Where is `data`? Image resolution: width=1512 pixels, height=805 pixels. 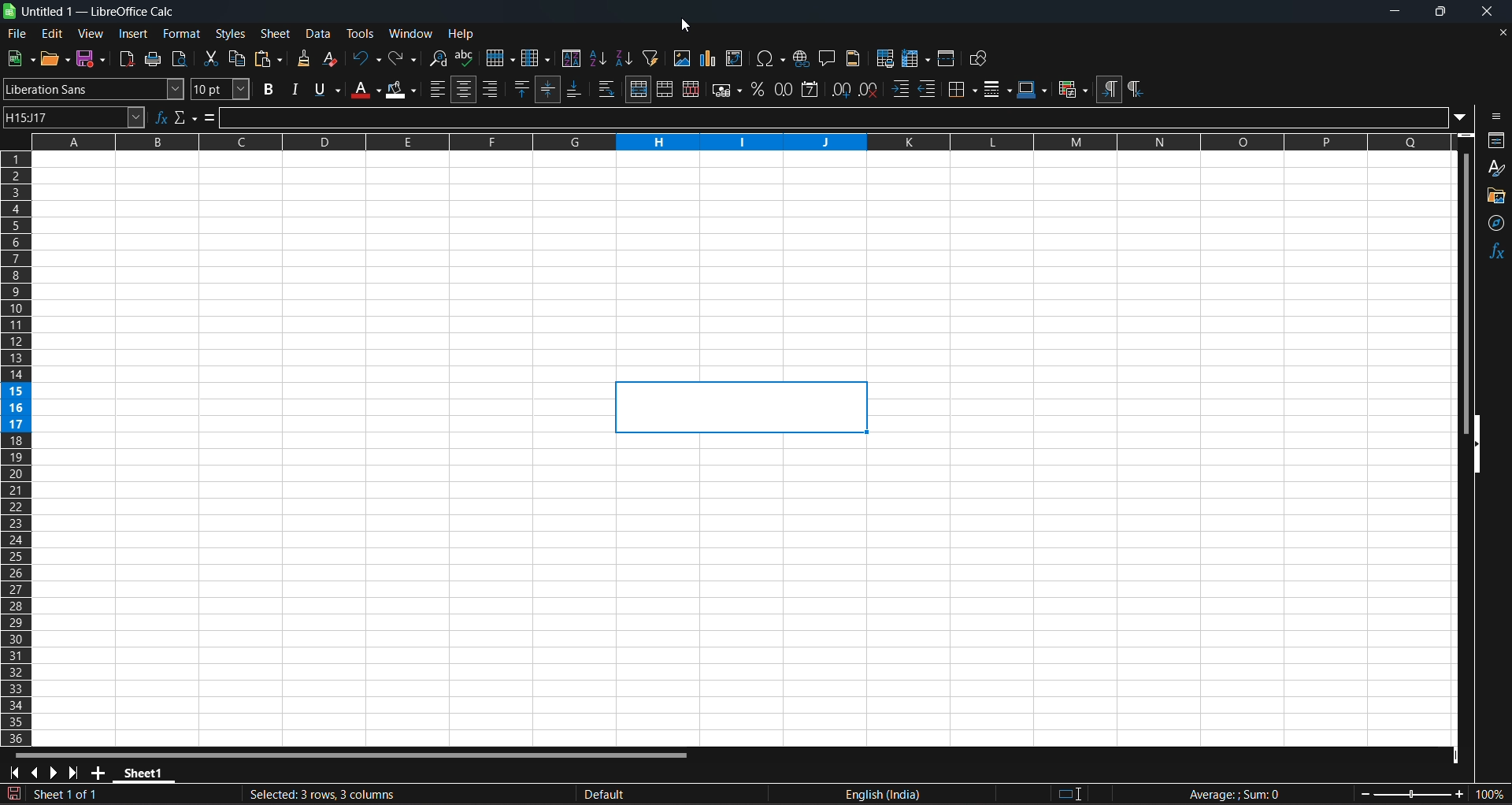
data is located at coordinates (320, 35).